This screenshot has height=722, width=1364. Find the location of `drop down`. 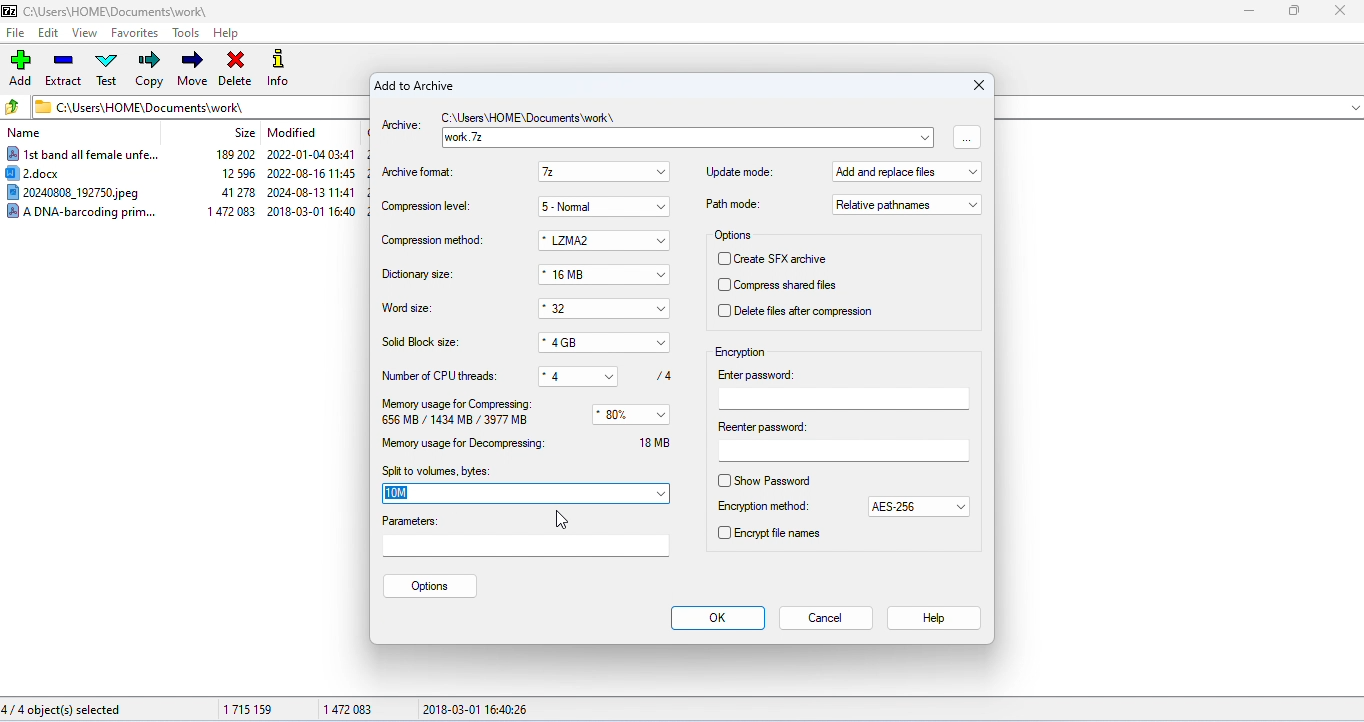

drop down is located at coordinates (962, 507).